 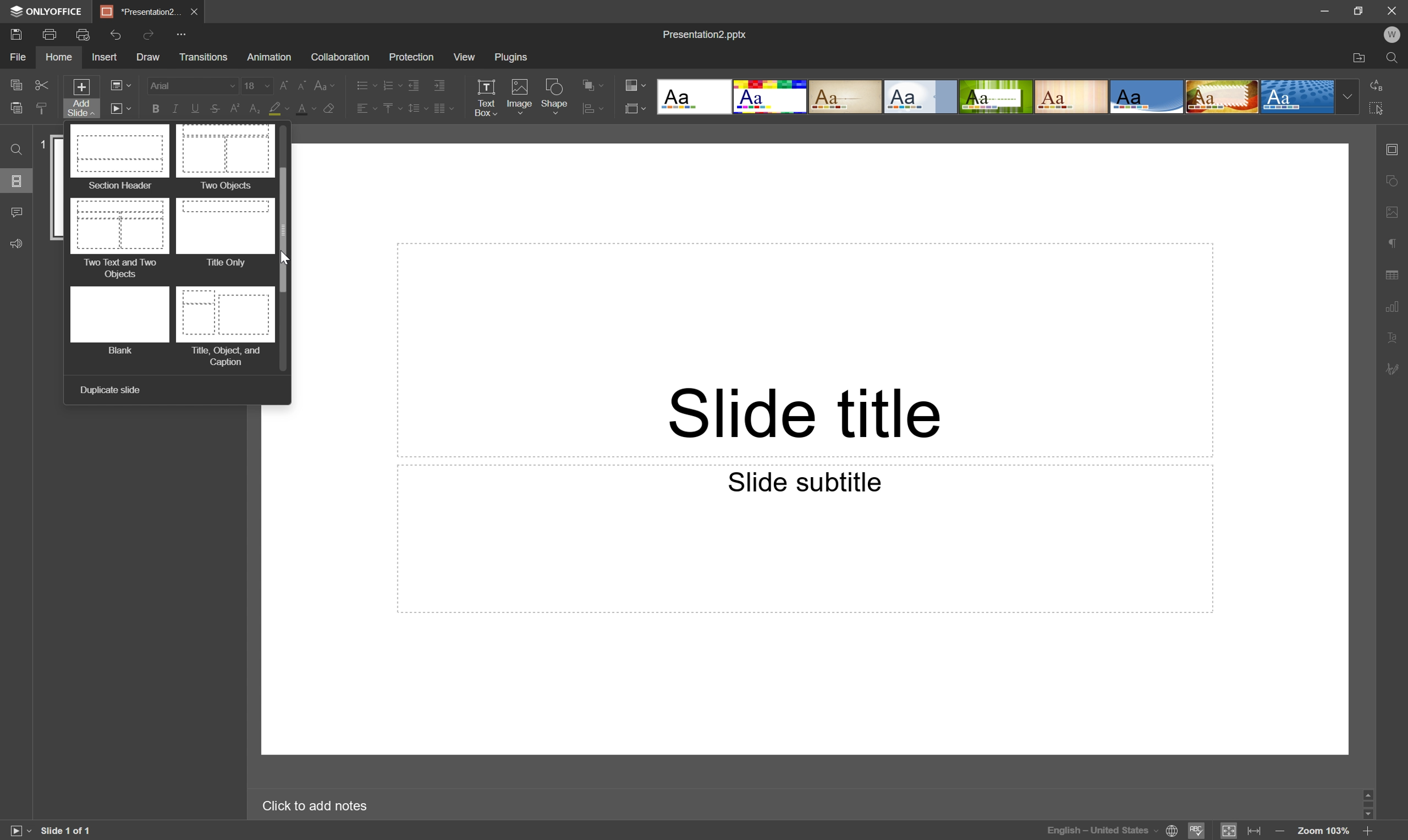 I want to click on Slide subtitle, so click(x=806, y=482).